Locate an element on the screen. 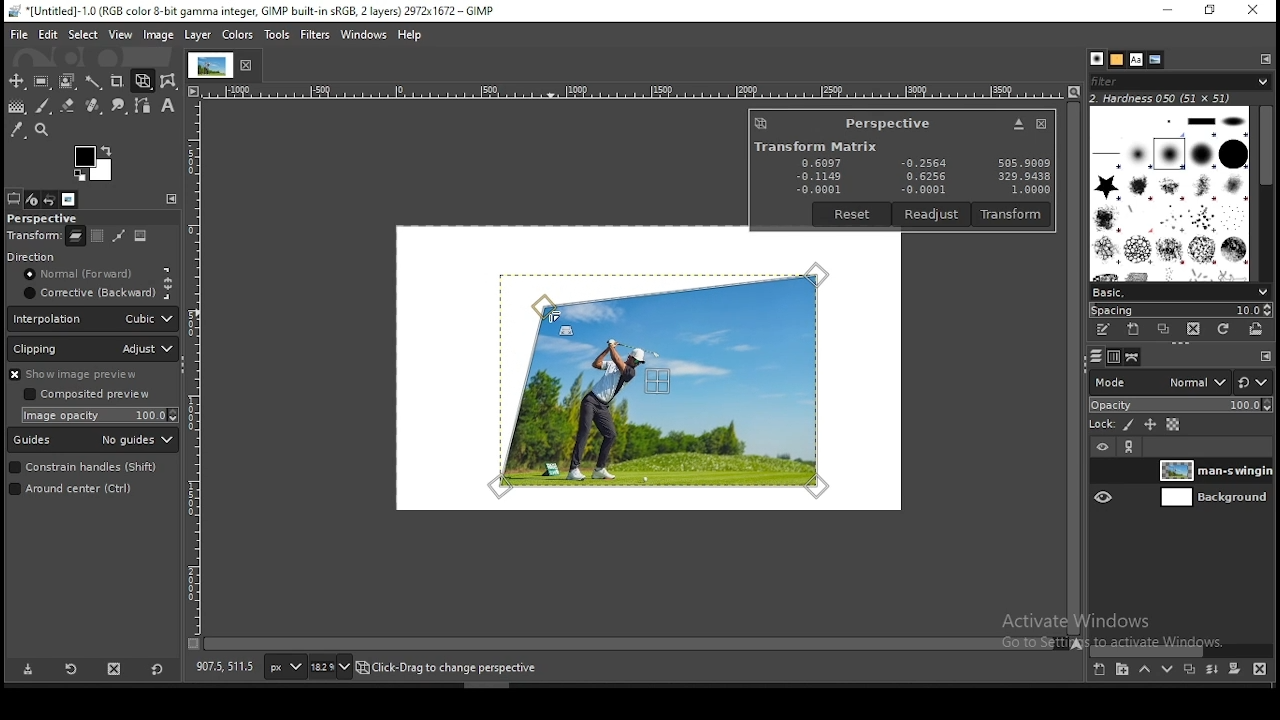 The height and width of the screenshot is (720, 1280). guides is located at coordinates (94, 441).